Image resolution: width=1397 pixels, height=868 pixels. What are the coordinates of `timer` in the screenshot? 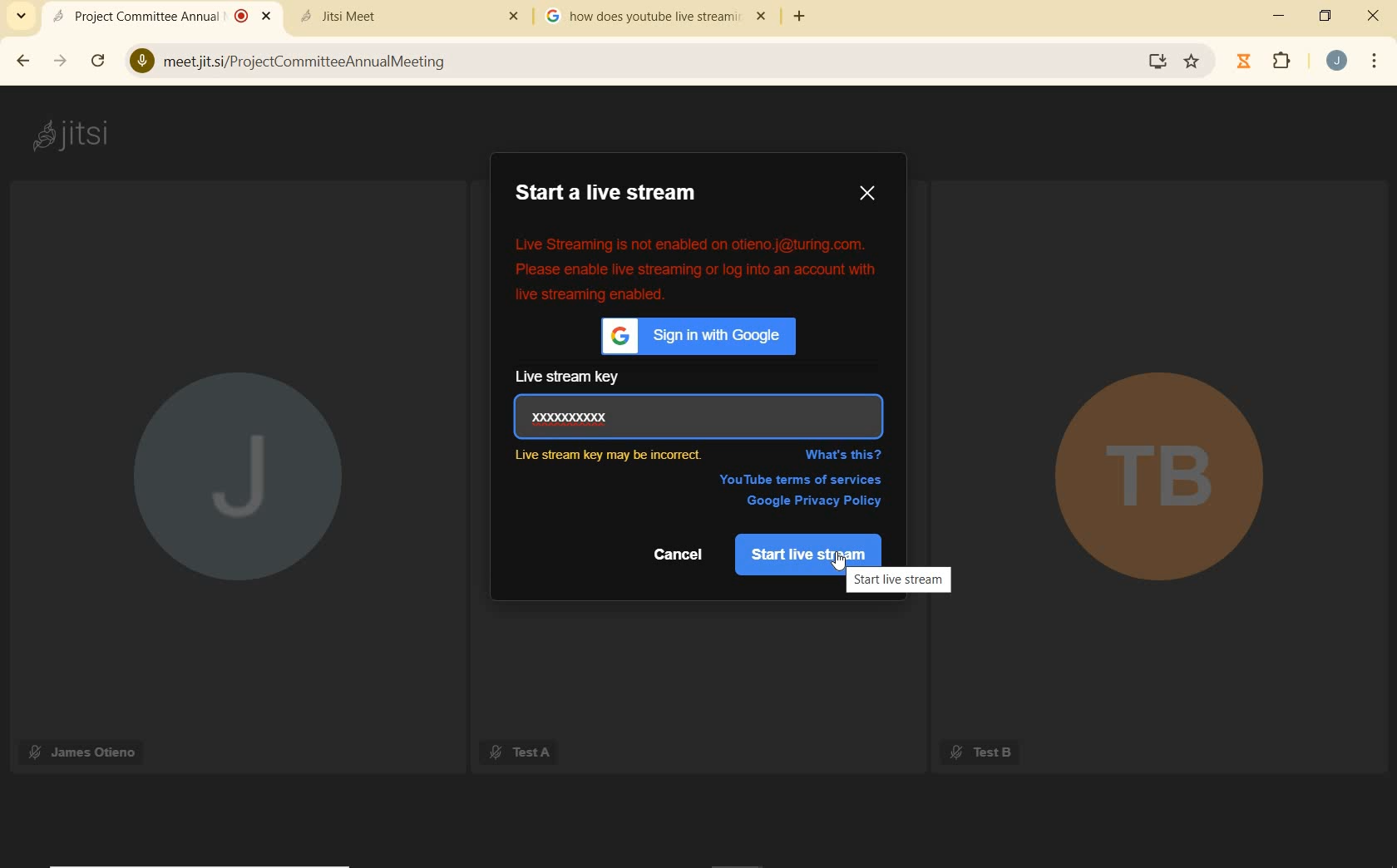 It's located at (1244, 61).